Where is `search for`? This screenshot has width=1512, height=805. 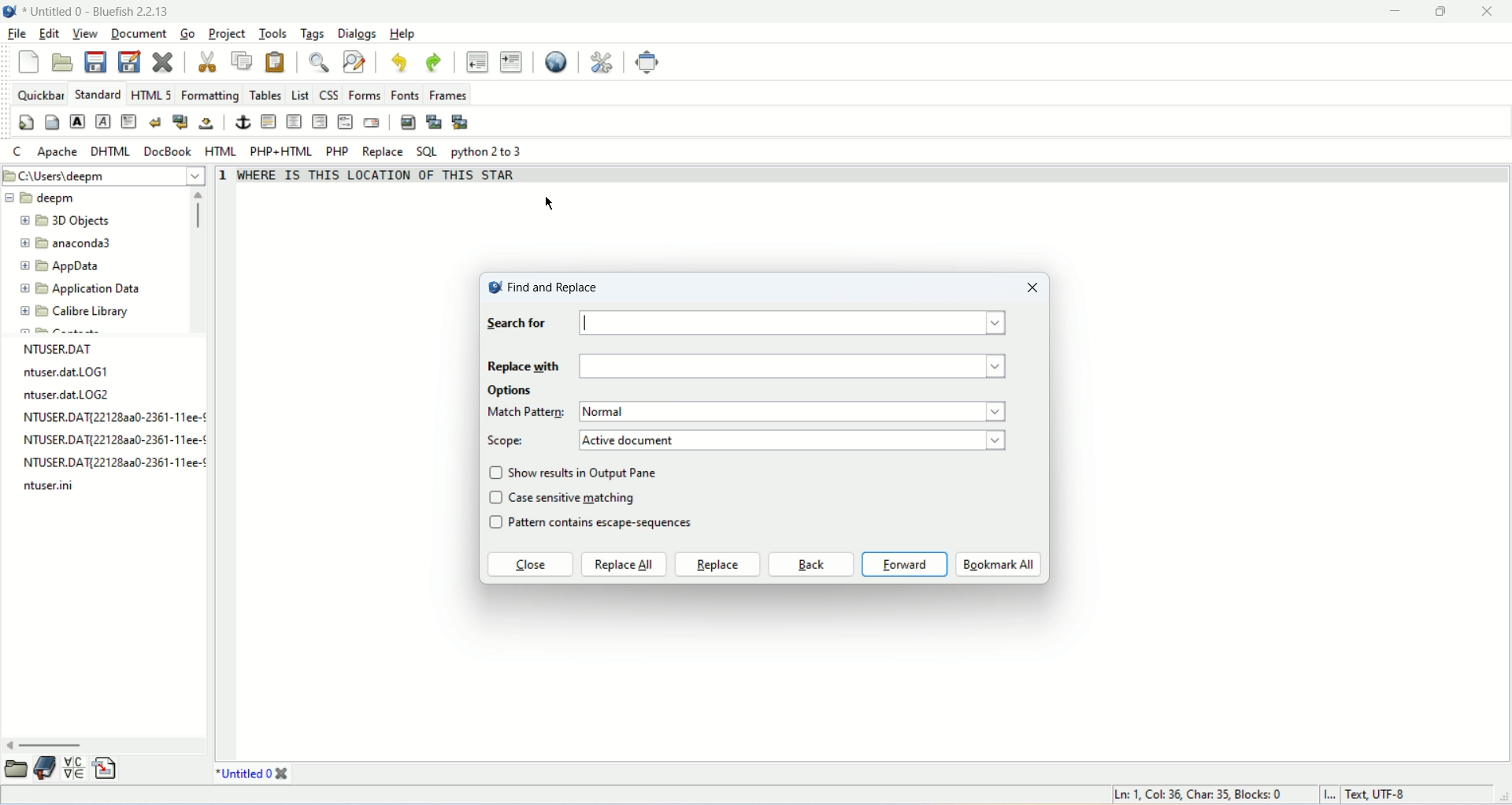 search for is located at coordinates (796, 324).